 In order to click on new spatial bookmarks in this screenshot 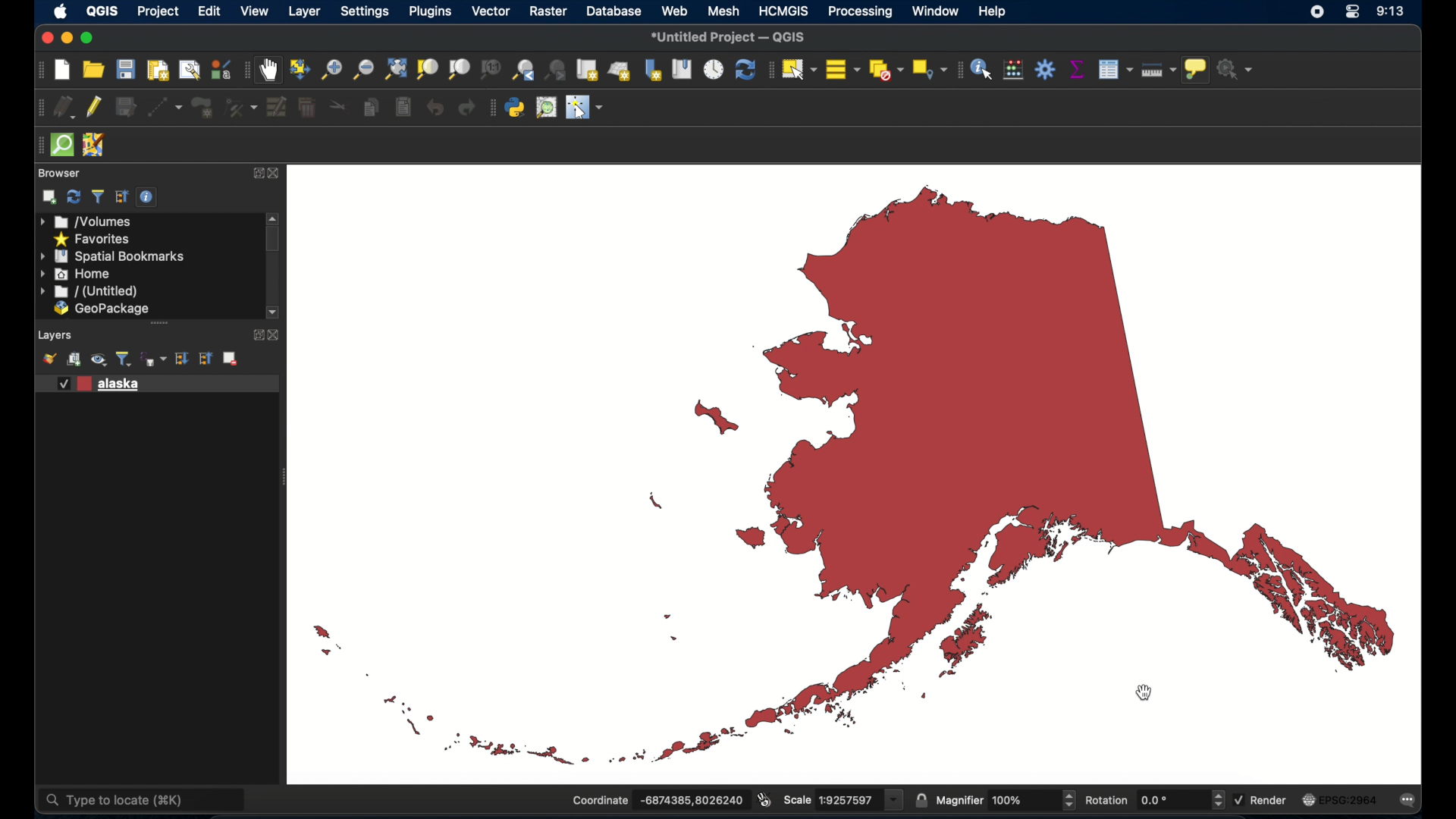, I will do `click(652, 69)`.